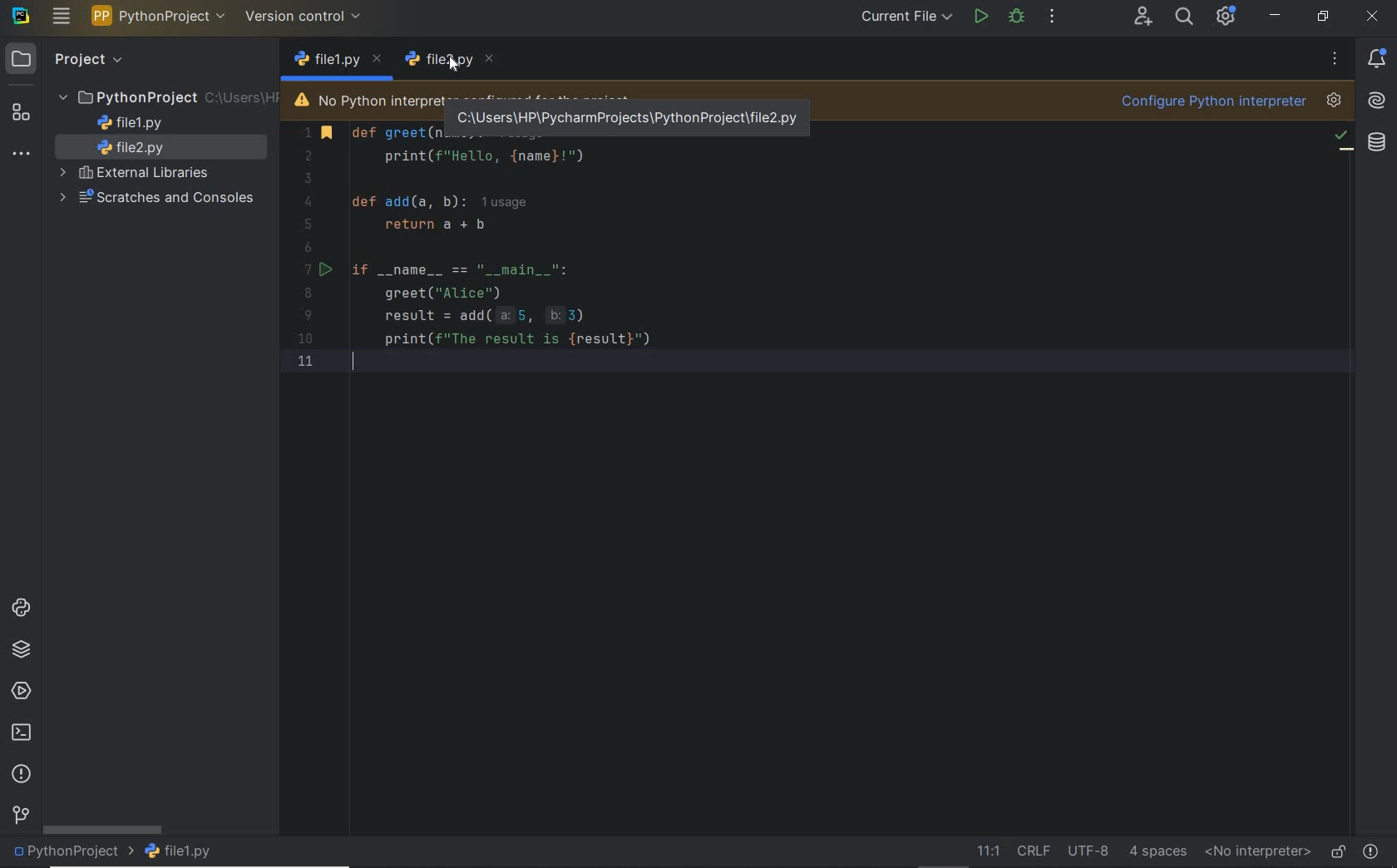 The height and width of the screenshot is (868, 1397). I want to click on system name, so click(22, 16).